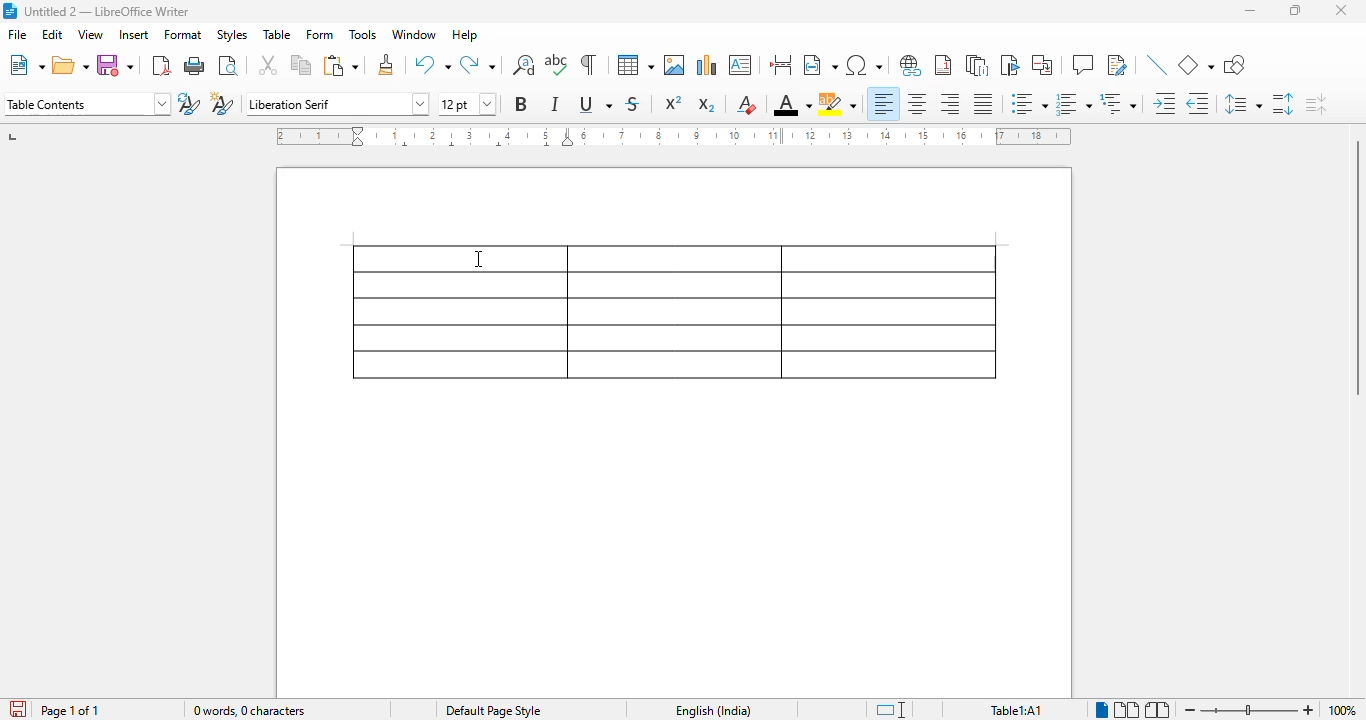  I want to click on underline, so click(595, 104).